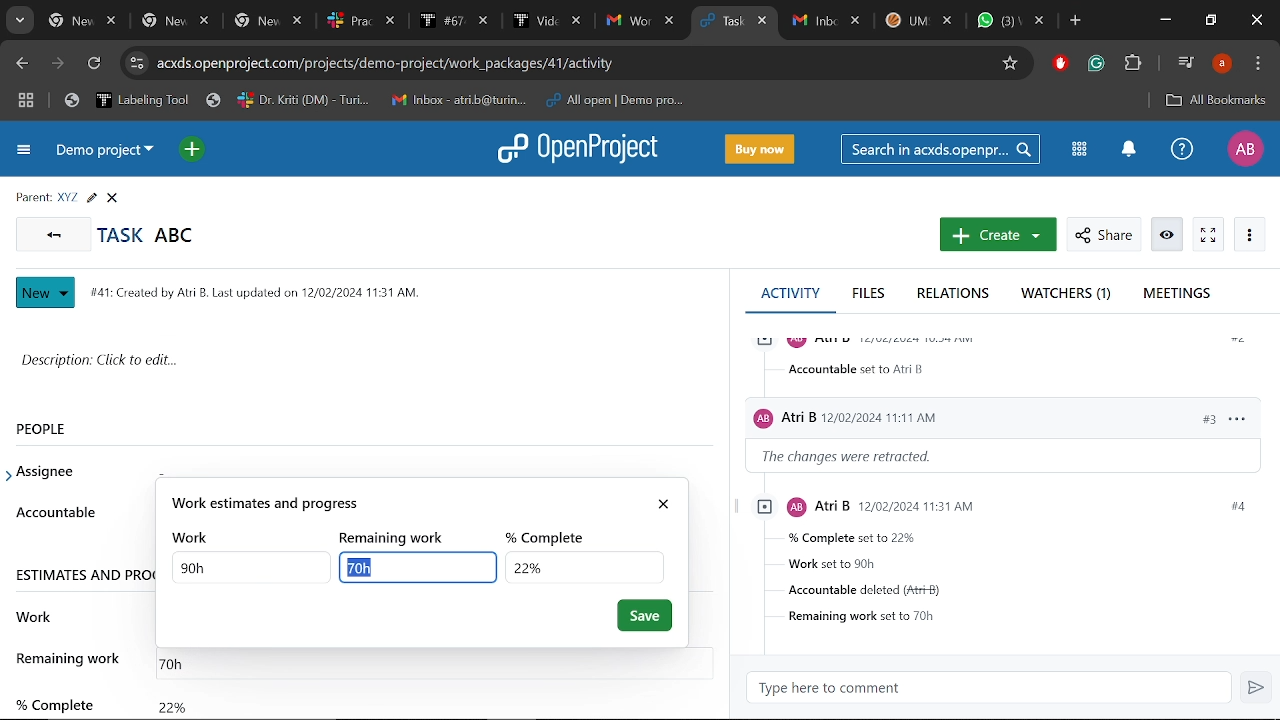 The image size is (1280, 720). I want to click on CIte address, so click(571, 62).